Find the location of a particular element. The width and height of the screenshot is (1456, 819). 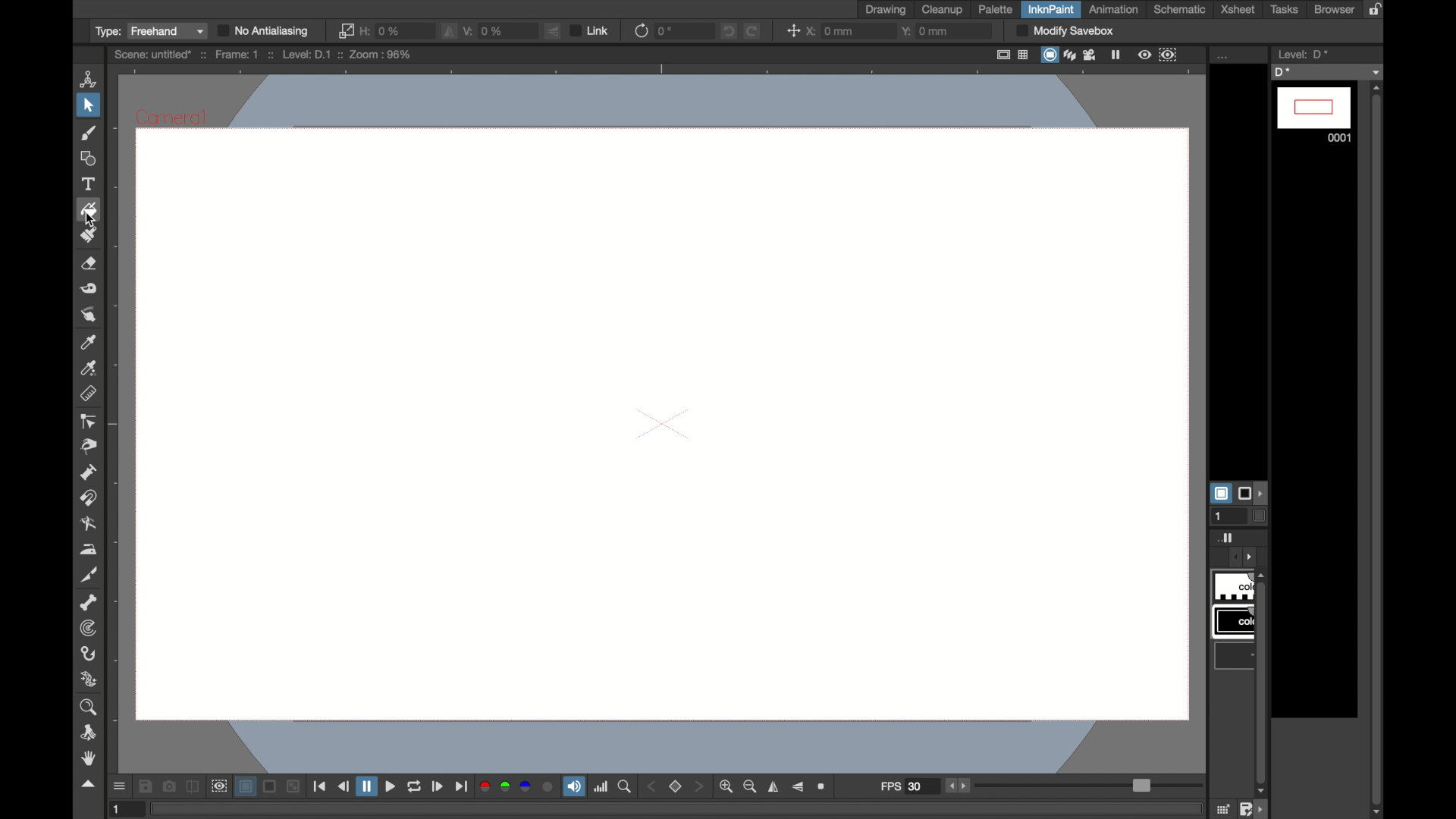

tape tool is located at coordinates (87, 289).